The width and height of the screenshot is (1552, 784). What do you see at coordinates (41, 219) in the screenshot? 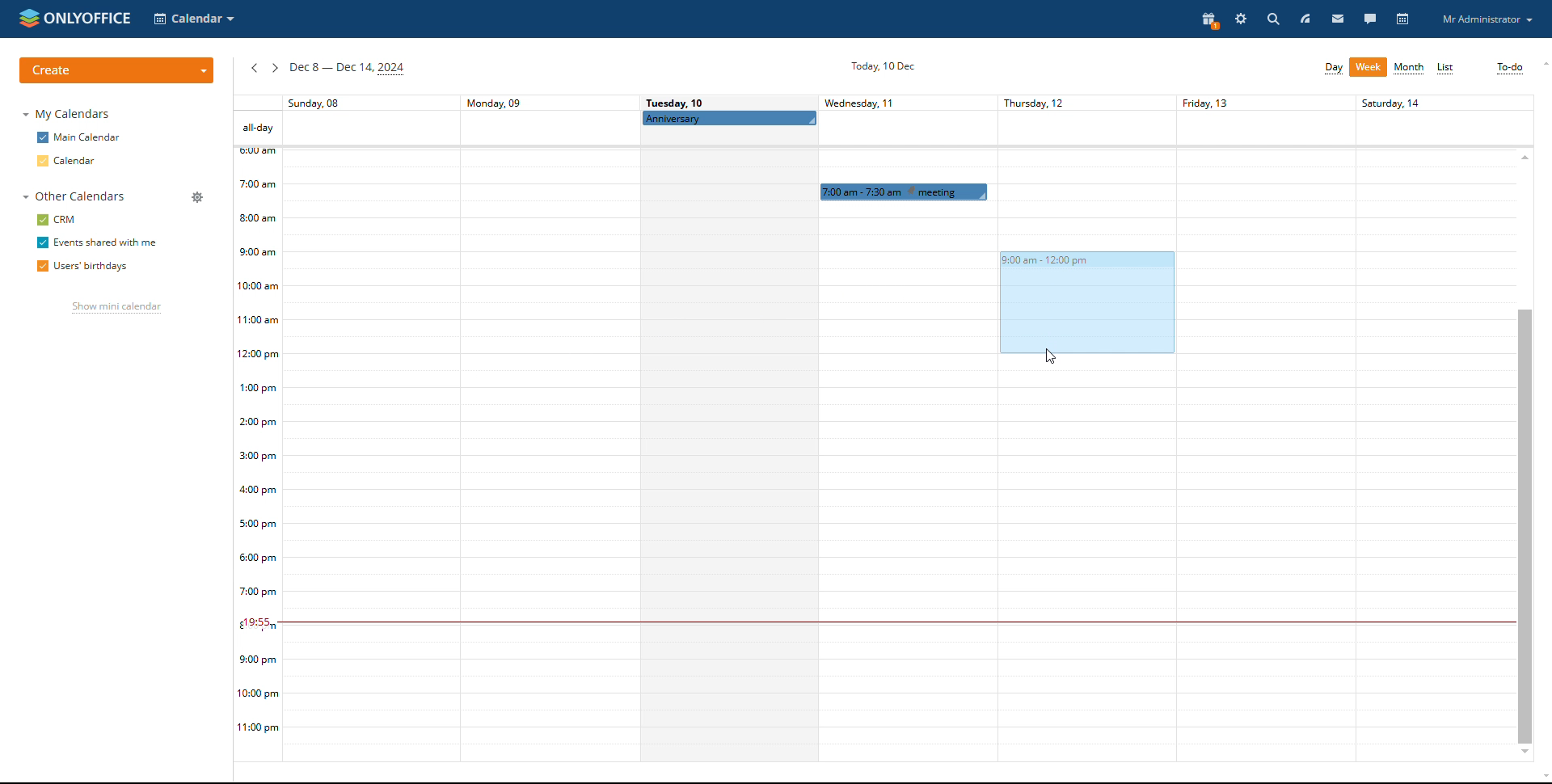
I see `checkbox` at bounding box center [41, 219].